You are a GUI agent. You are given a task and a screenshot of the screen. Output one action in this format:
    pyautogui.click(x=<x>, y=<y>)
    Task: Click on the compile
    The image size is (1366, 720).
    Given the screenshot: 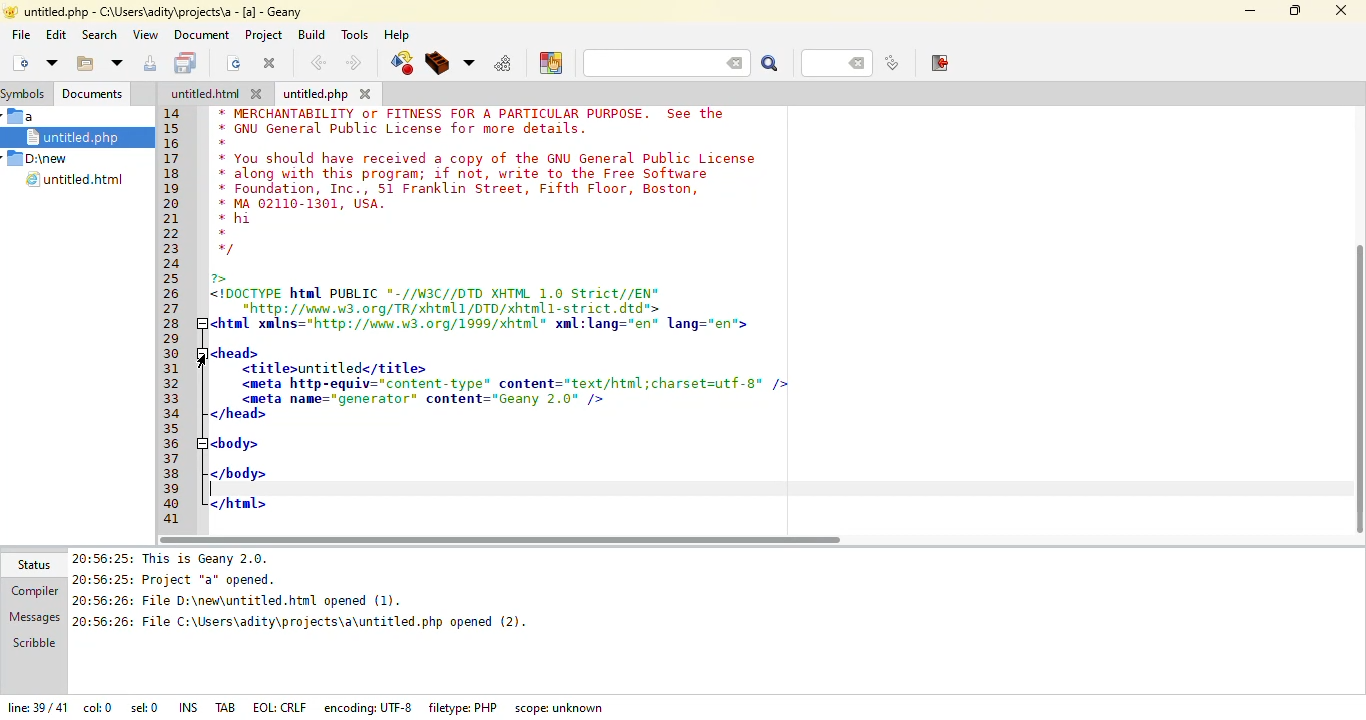 What is the action you would take?
    pyautogui.click(x=399, y=64)
    